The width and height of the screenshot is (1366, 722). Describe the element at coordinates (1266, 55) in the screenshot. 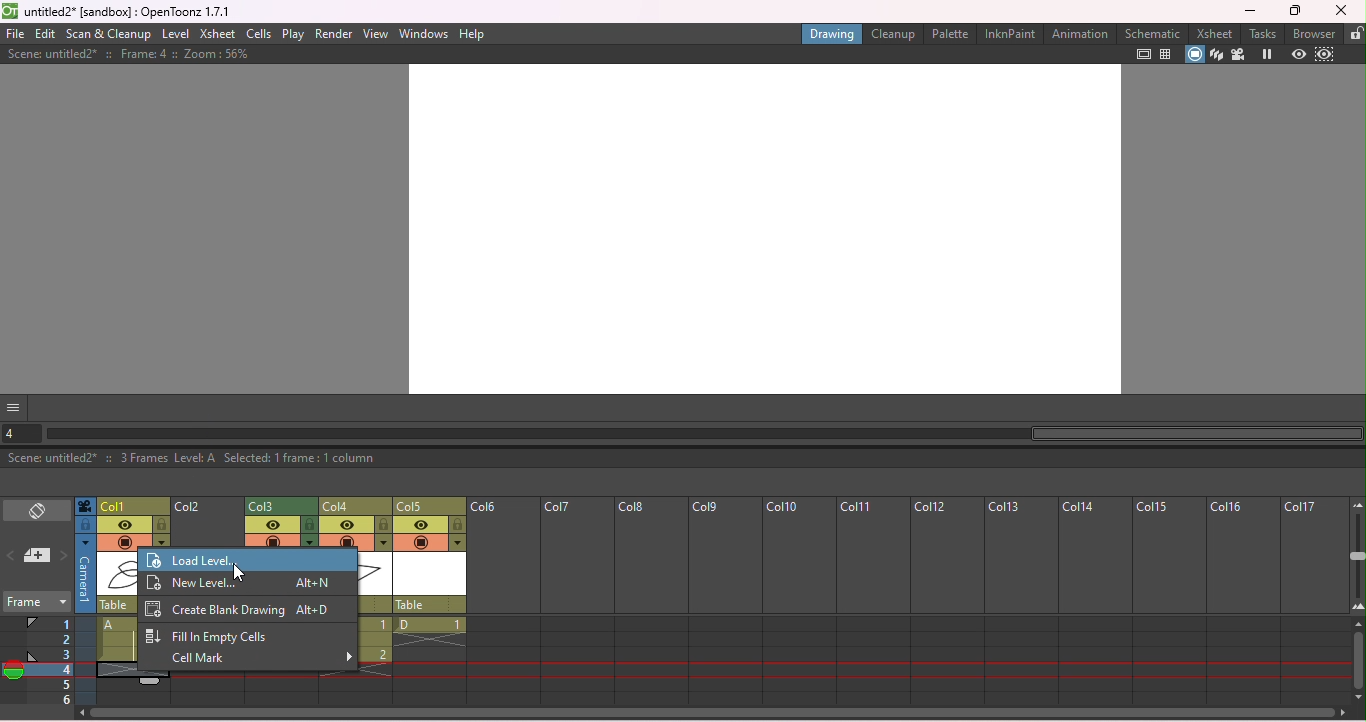

I see `Freeze` at that location.